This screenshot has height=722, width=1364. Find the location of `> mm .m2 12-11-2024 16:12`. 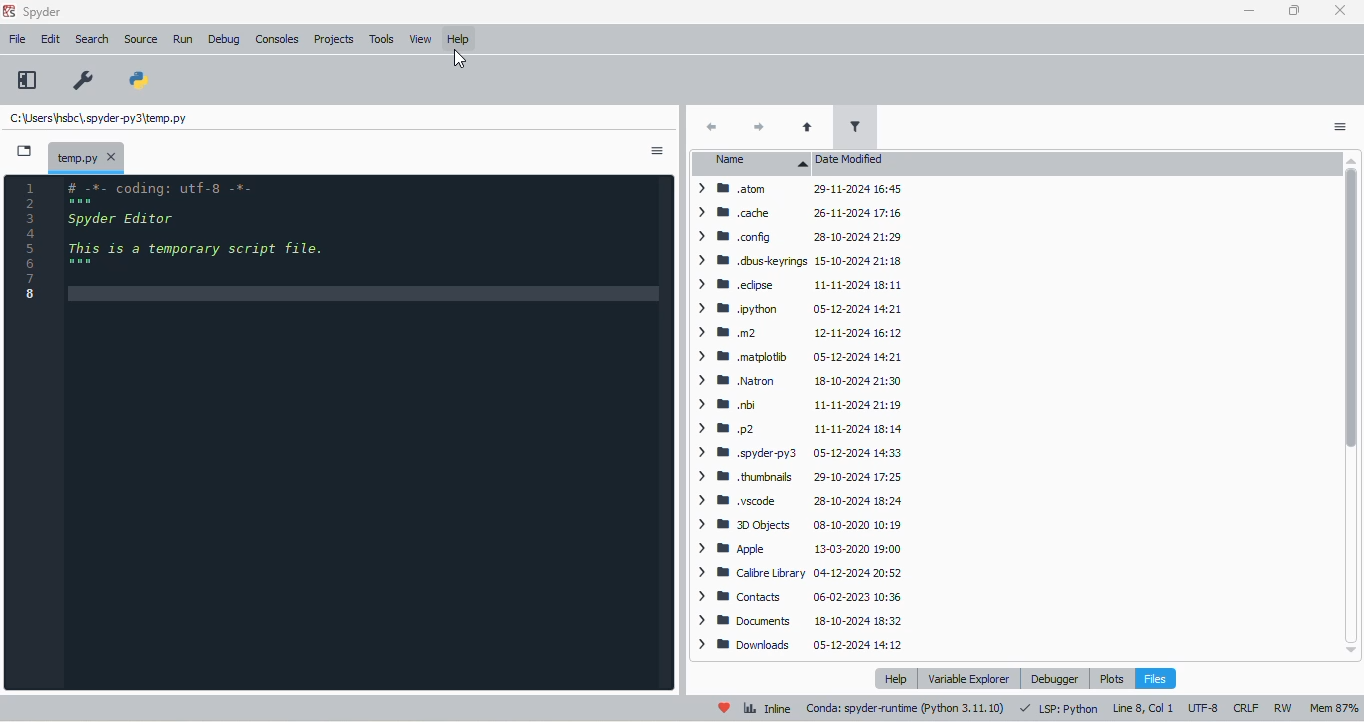

> mm .m2 12-11-2024 16:12 is located at coordinates (798, 331).